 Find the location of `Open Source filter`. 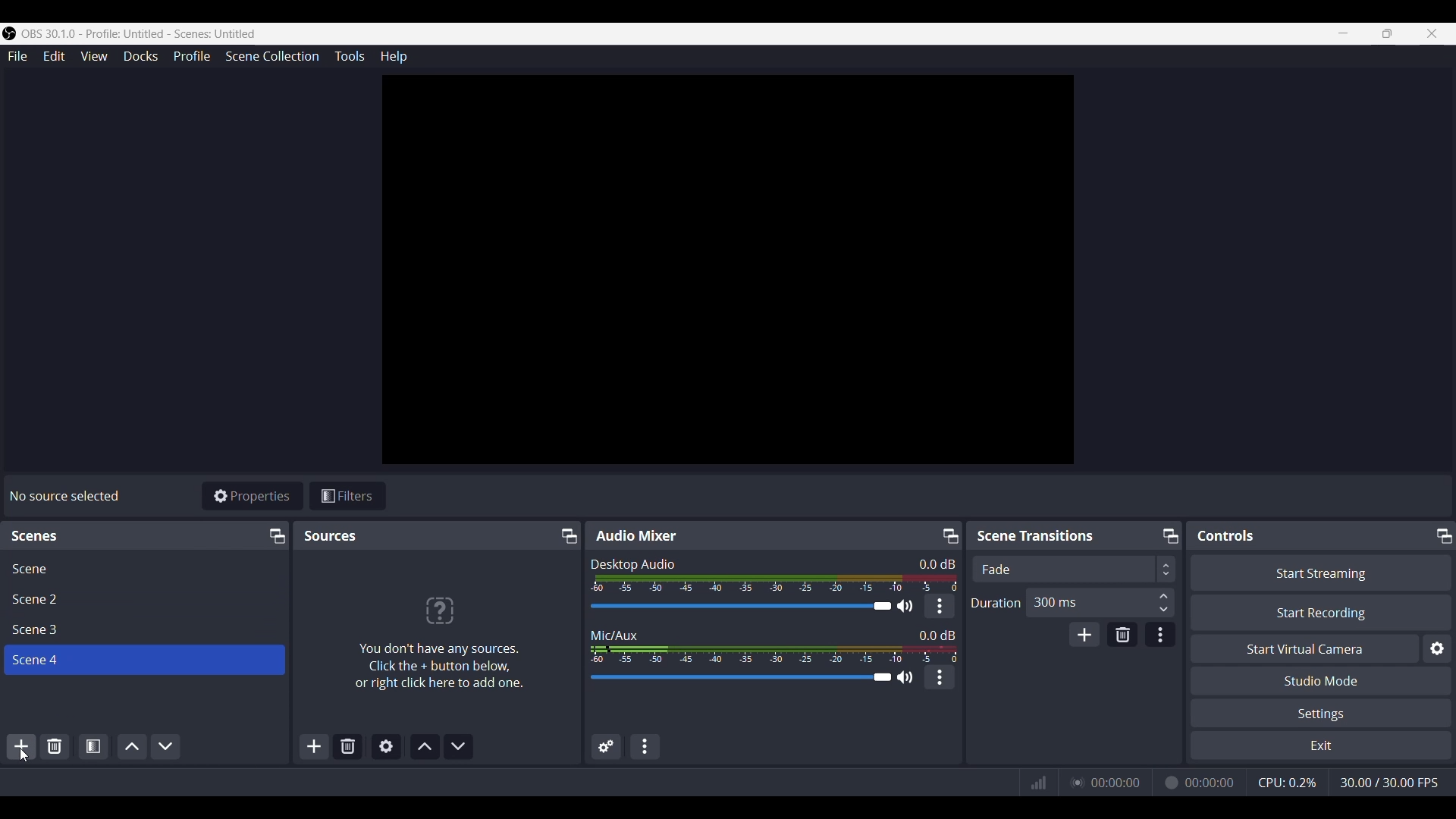

Open Source filter is located at coordinates (93, 745).